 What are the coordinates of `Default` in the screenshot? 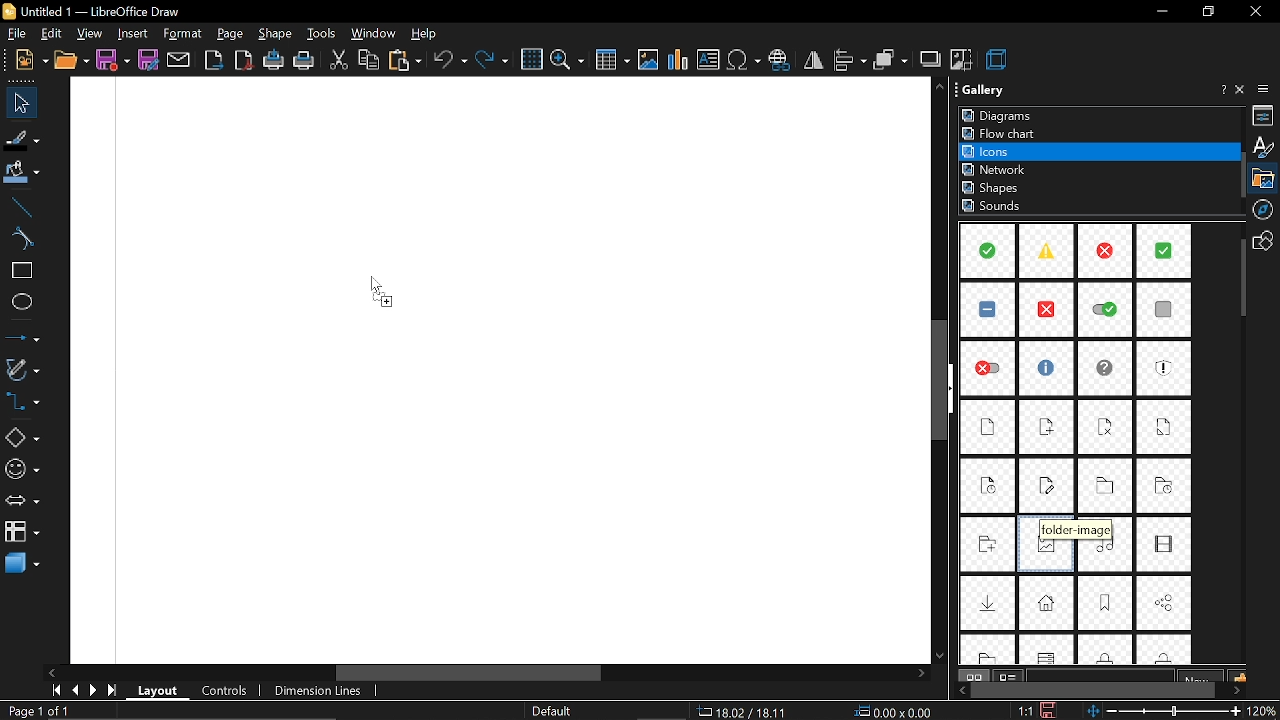 It's located at (555, 711).